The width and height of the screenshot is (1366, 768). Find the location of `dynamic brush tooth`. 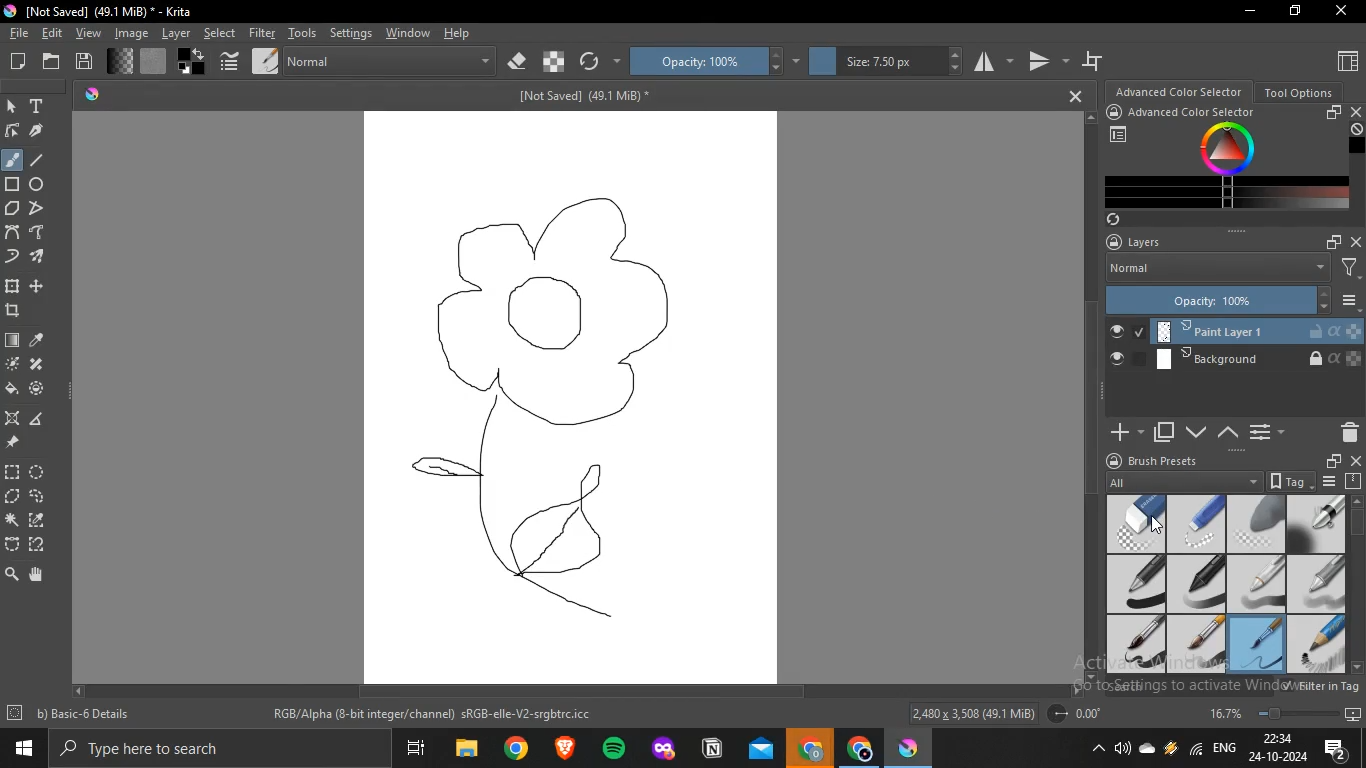

dynamic brush tooth is located at coordinates (13, 258).